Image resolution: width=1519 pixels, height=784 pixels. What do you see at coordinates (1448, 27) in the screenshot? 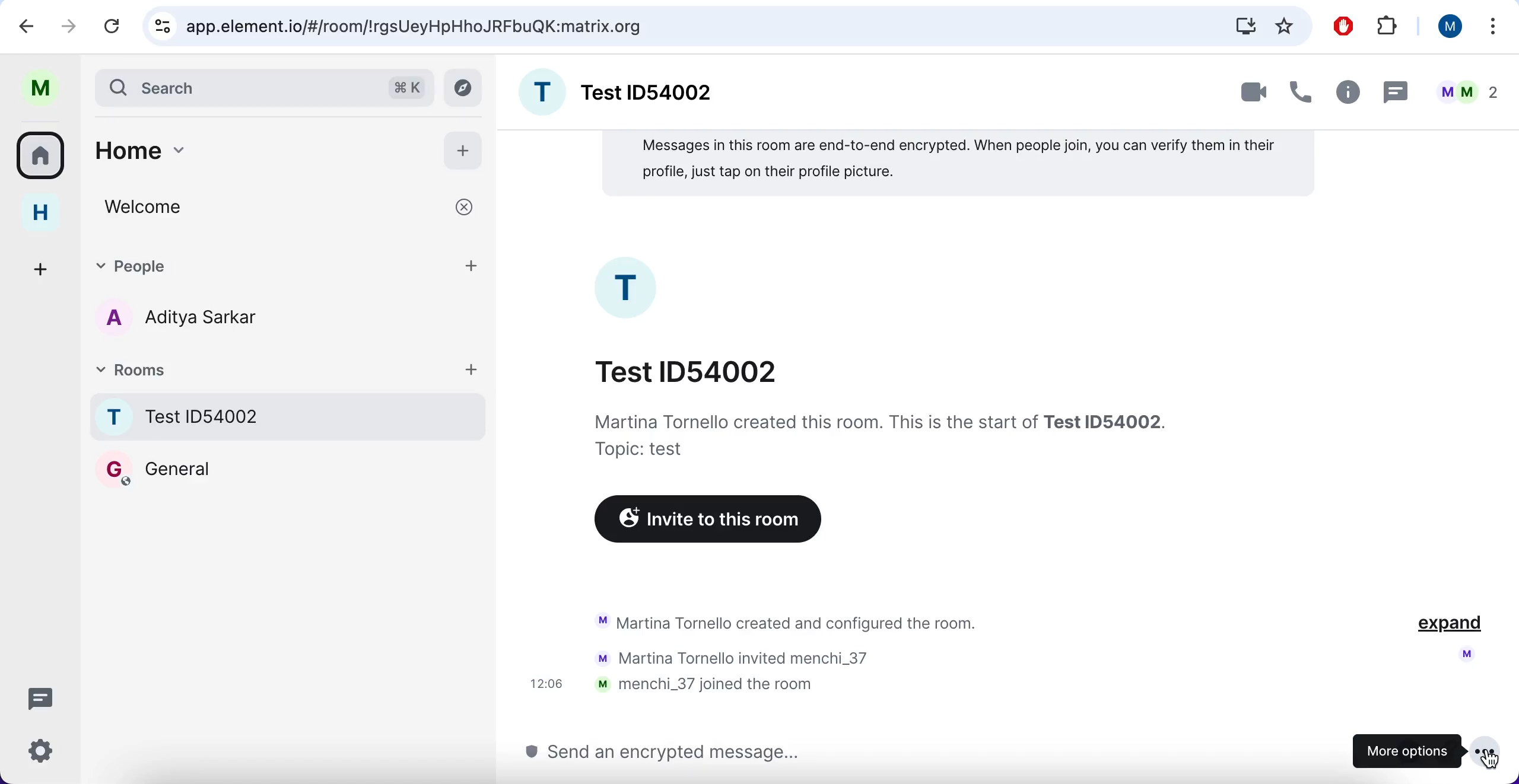
I see `user` at bounding box center [1448, 27].